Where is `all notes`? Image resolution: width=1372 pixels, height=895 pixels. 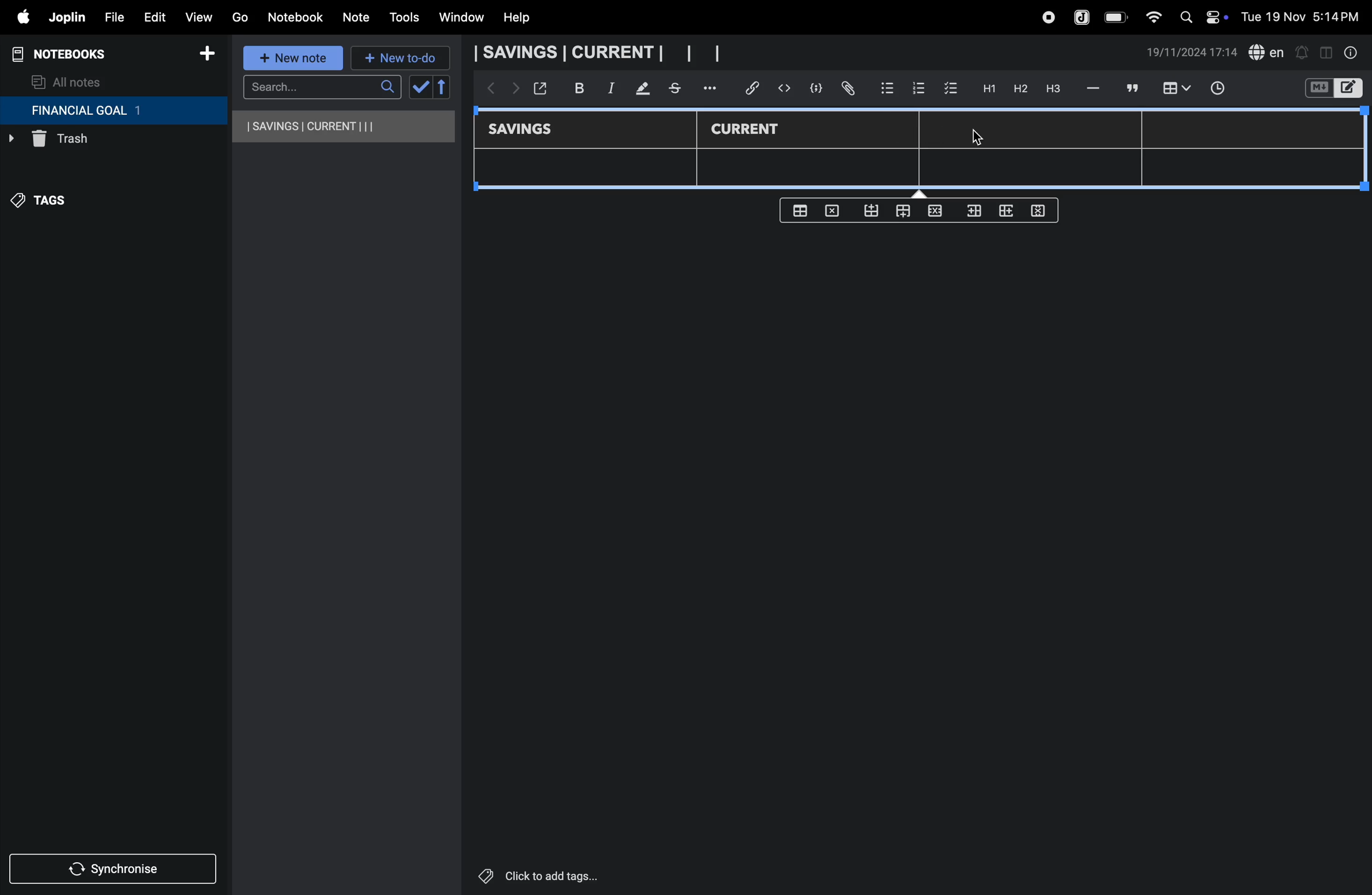
all notes is located at coordinates (67, 81).